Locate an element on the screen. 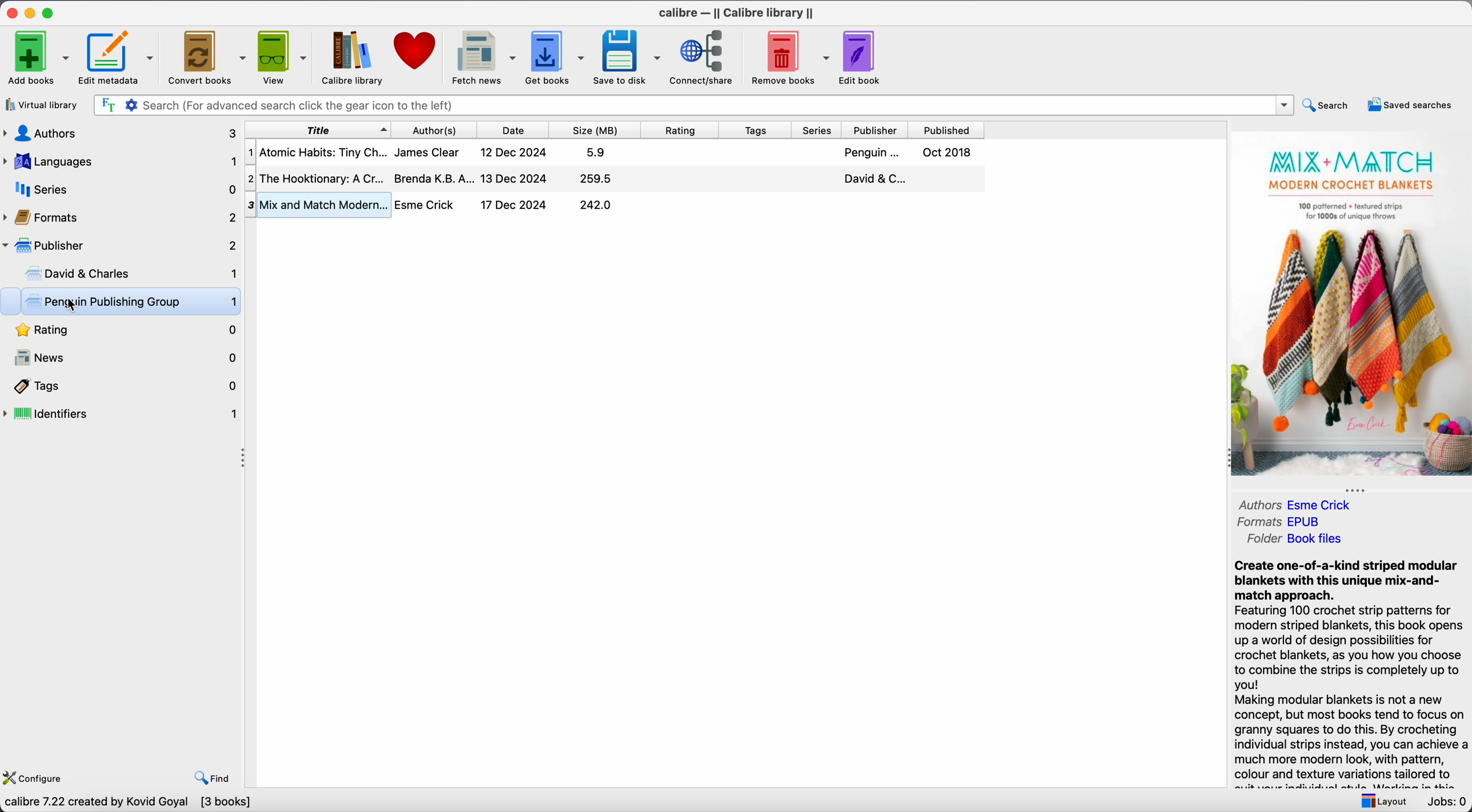 This screenshot has height=812, width=1472. tags is located at coordinates (758, 130).